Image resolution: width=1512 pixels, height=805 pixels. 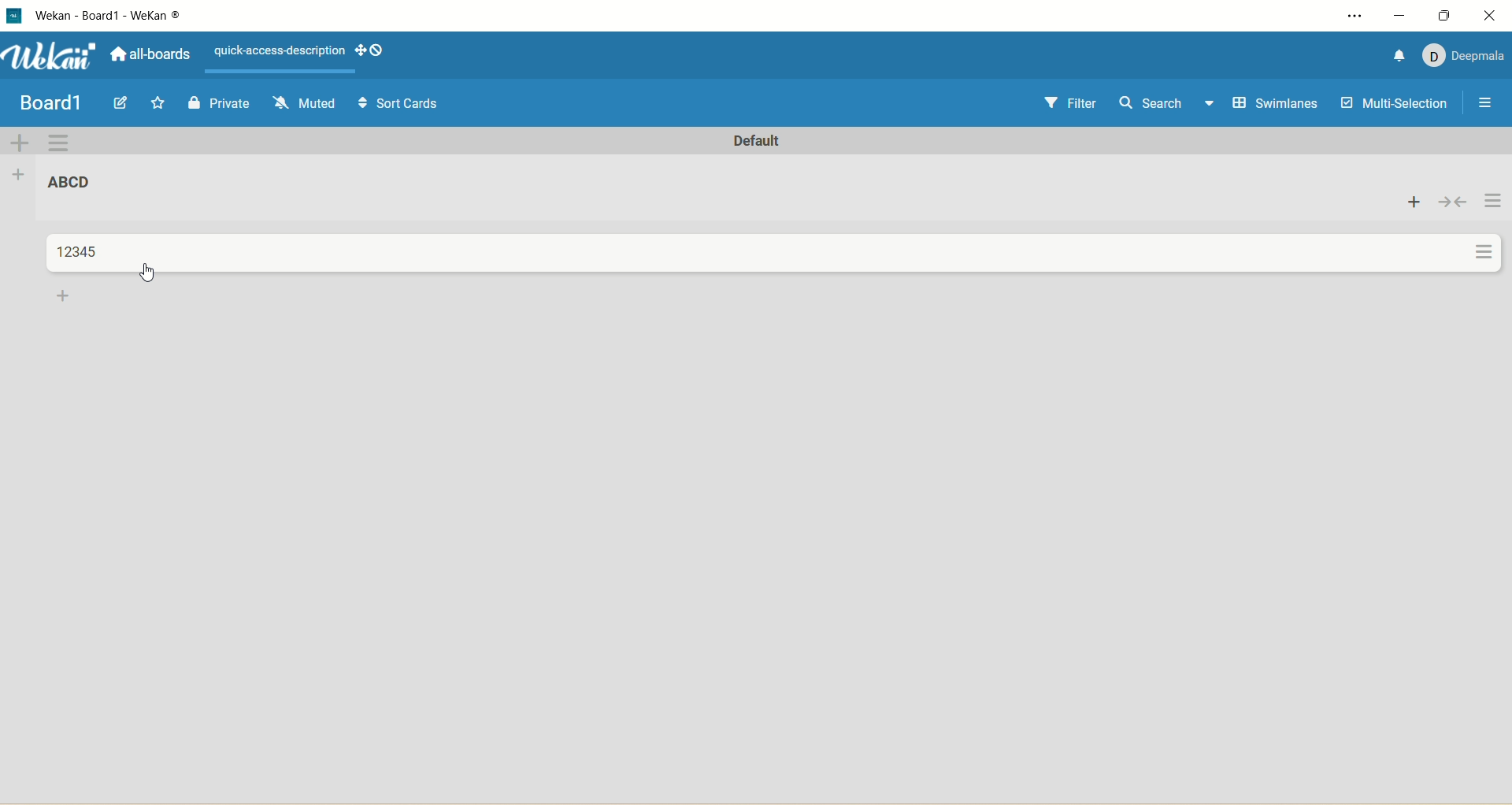 I want to click on filter, so click(x=1067, y=105).